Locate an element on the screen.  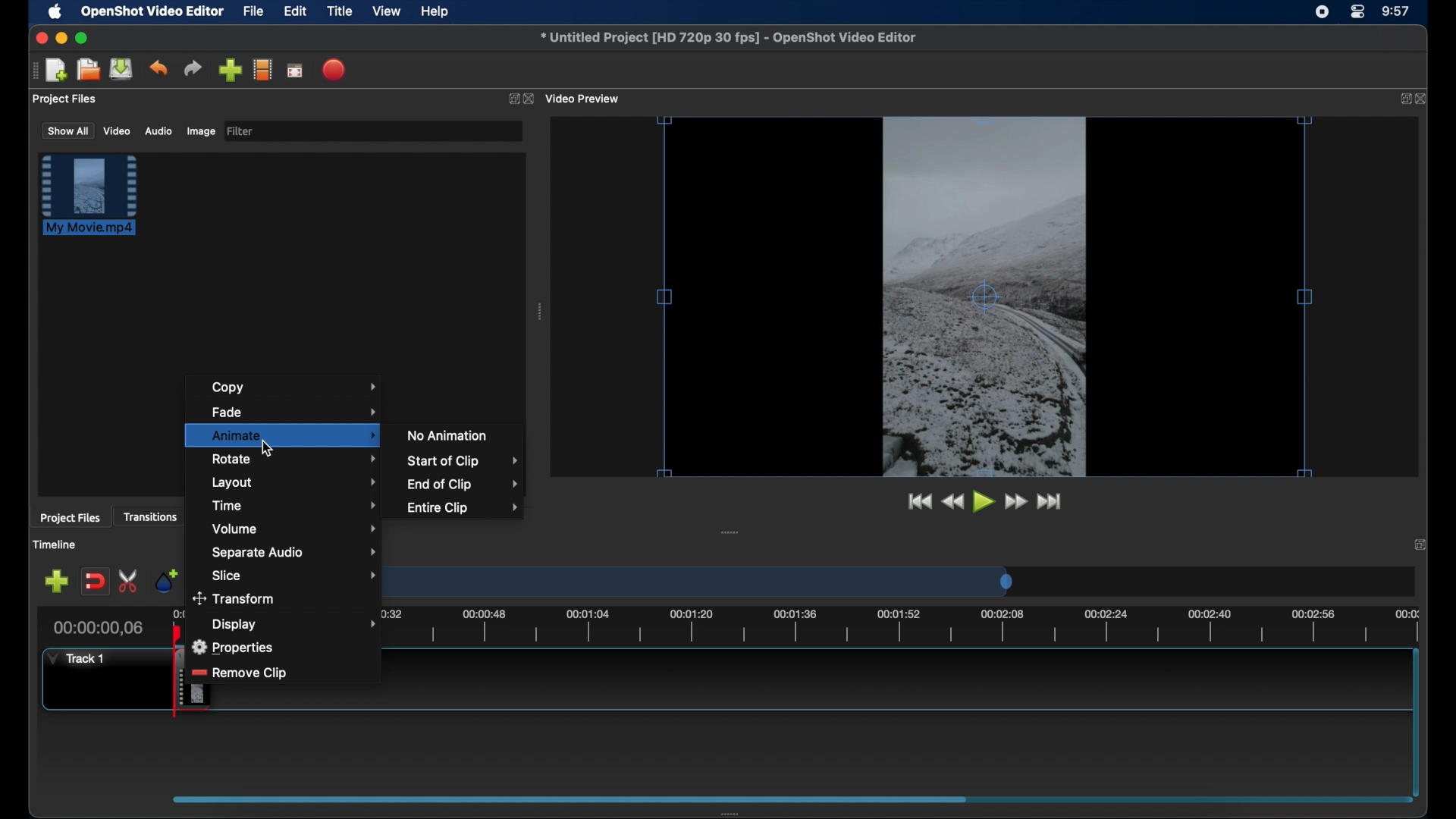
full screen is located at coordinates (296, 70).